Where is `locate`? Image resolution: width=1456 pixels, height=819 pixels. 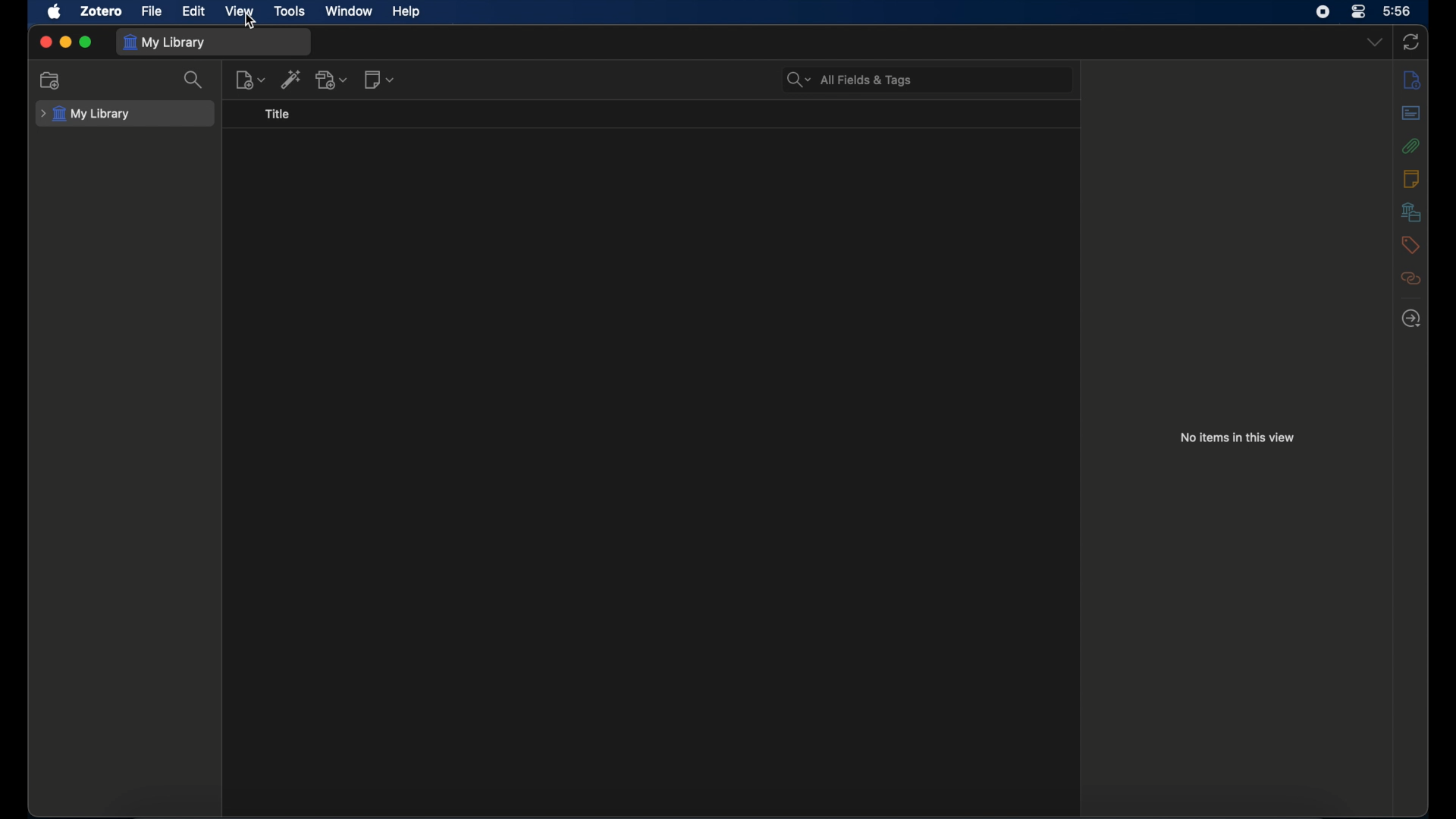
locate is located at coordinates (1412, 318).